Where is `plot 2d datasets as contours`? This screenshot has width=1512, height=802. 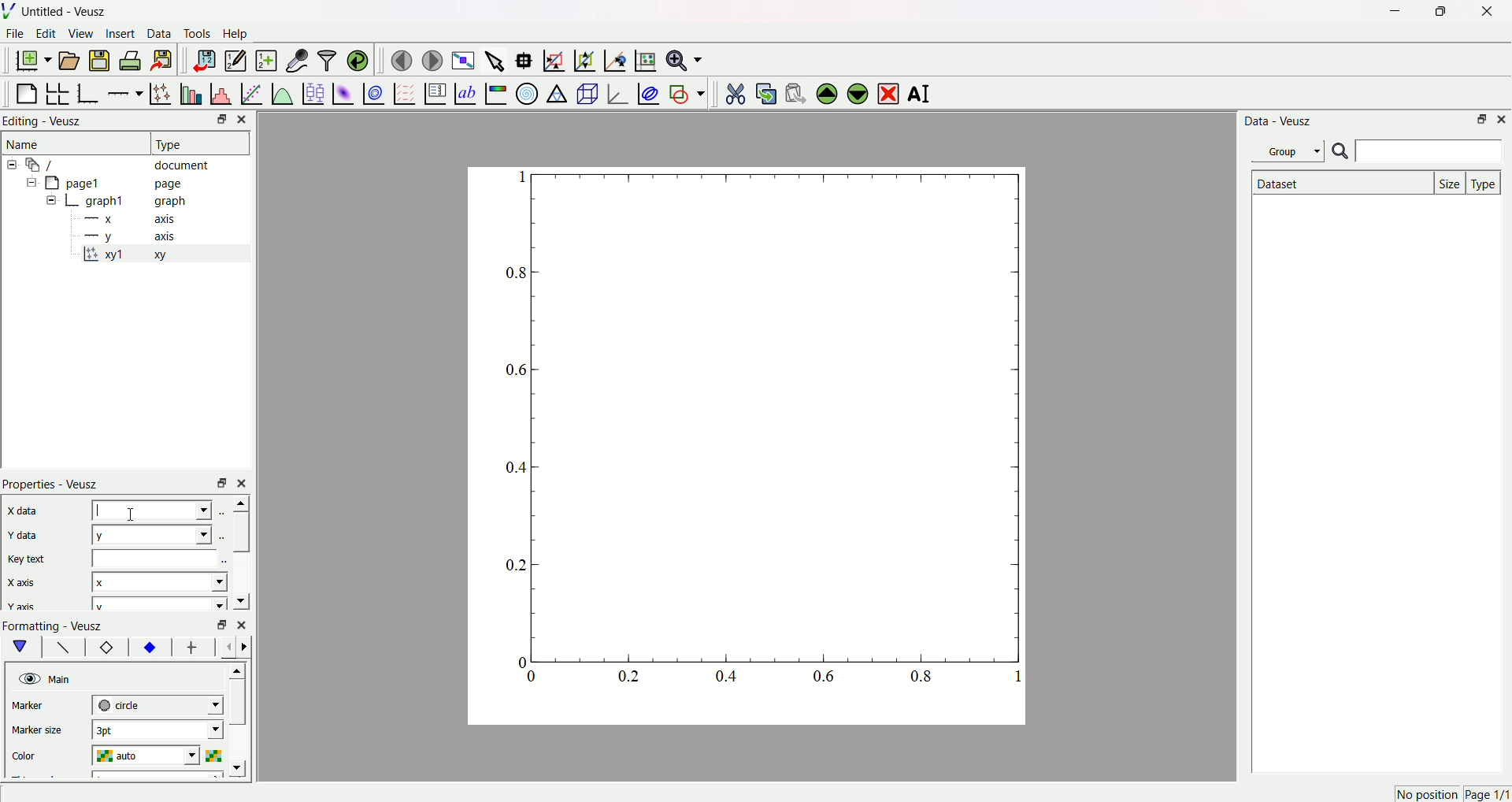
plot 2d datasets as contours is located at coordinates (372, 93).